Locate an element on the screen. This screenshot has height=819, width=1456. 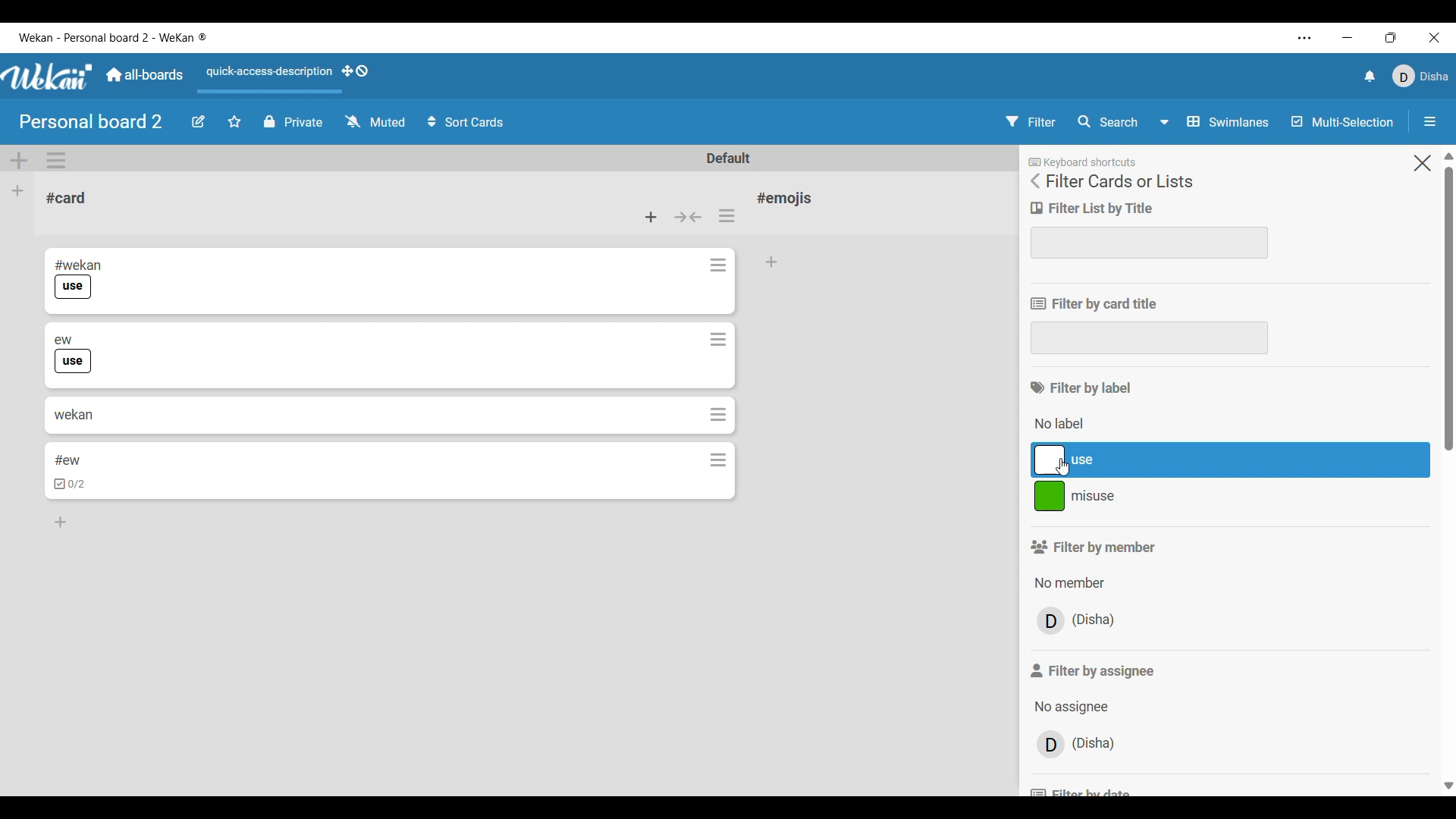
Show desktop drag handles is located at coordinates (355, 71).